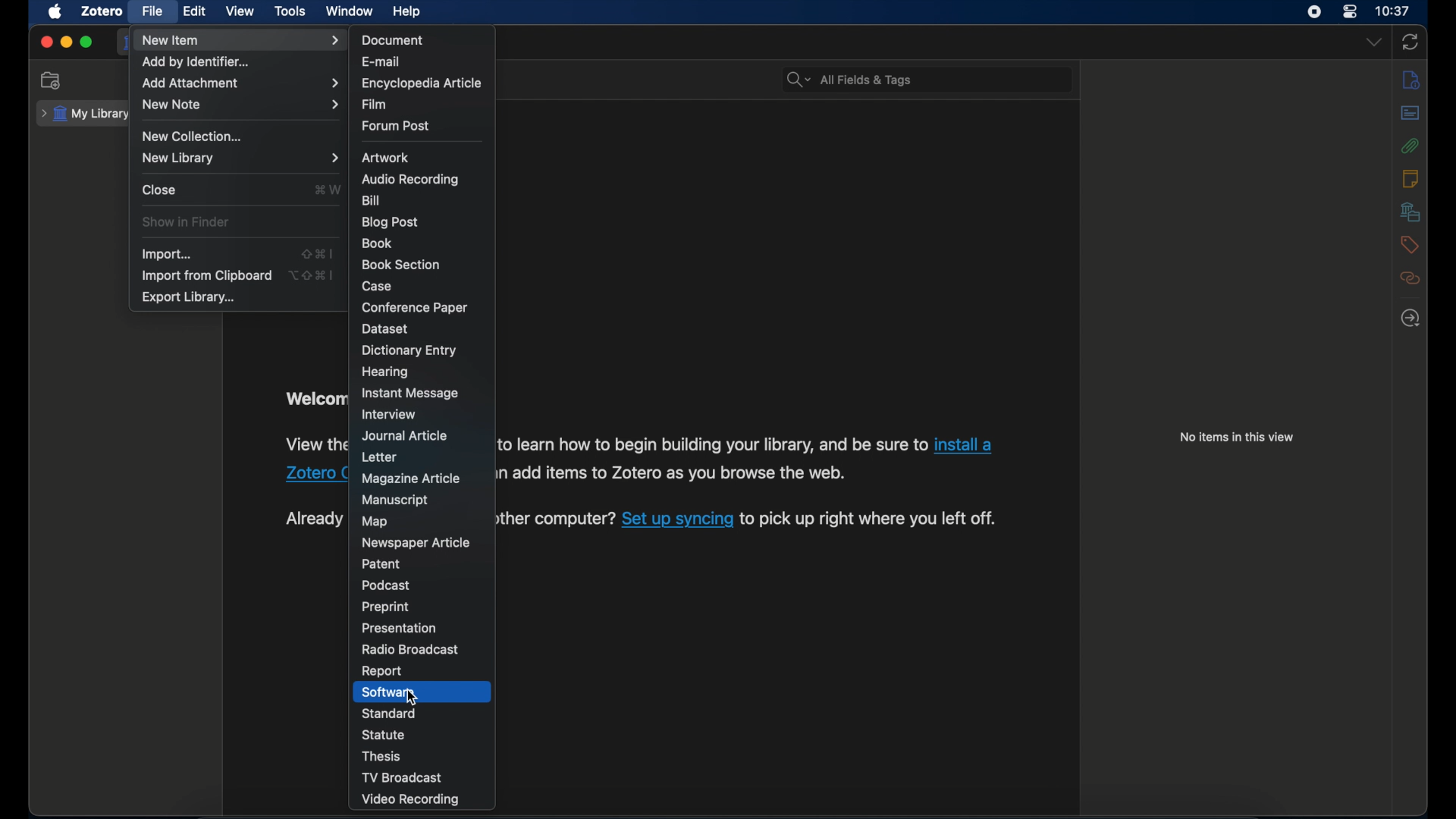 Image resolution: width=1456 pixels, height=819 pixels. What do you see at coordinates (372, 199) in the screenshot?
I see `bill` at bounding box center [372, 199].